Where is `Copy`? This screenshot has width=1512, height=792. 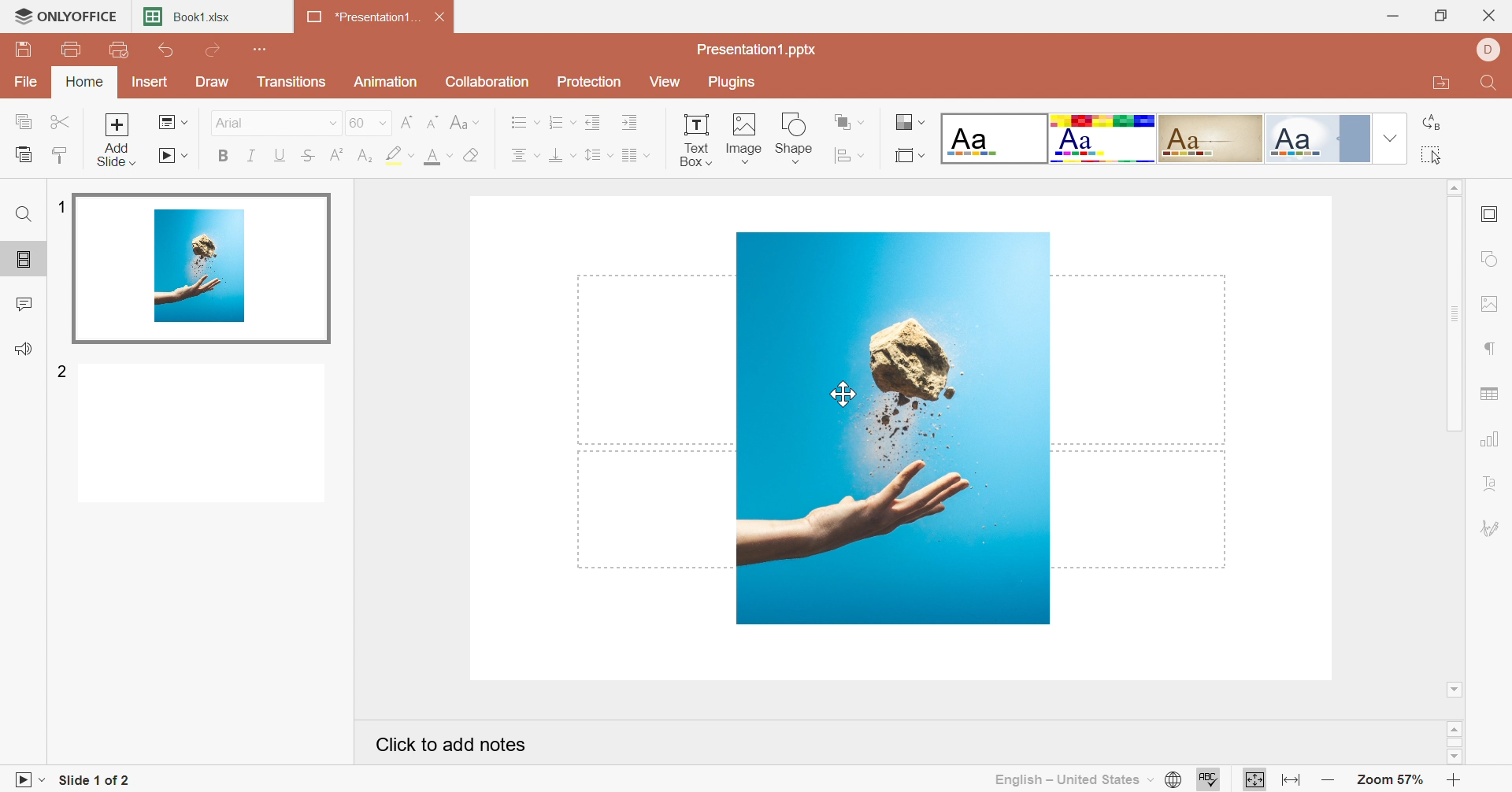 Copy is located at coordinates (23, 119).